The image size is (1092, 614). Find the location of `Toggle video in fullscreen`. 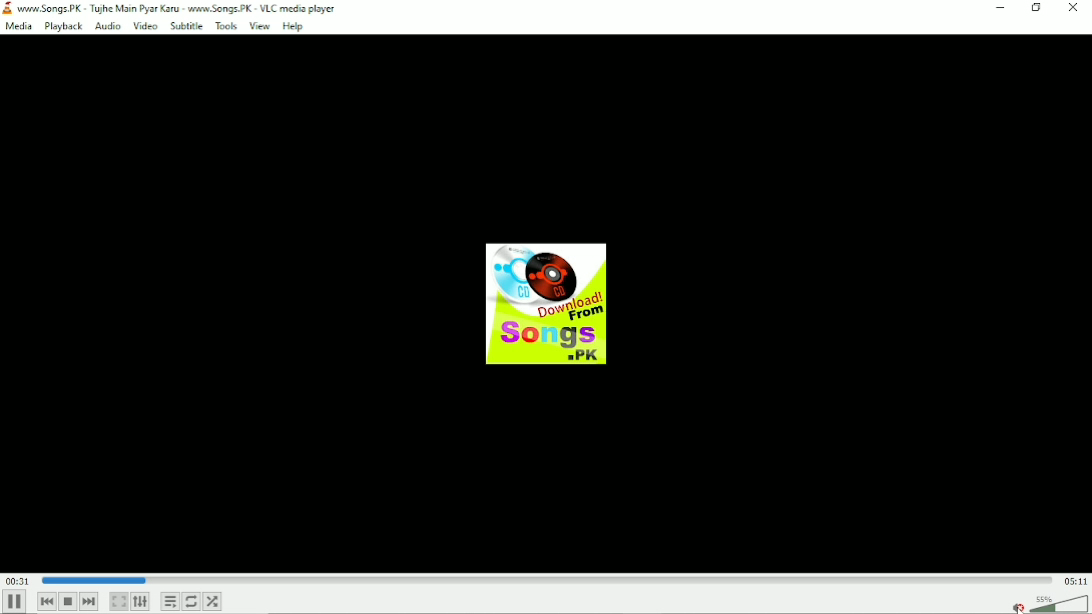

Toggle video in fullscreen is located at coordinates (118, 602).